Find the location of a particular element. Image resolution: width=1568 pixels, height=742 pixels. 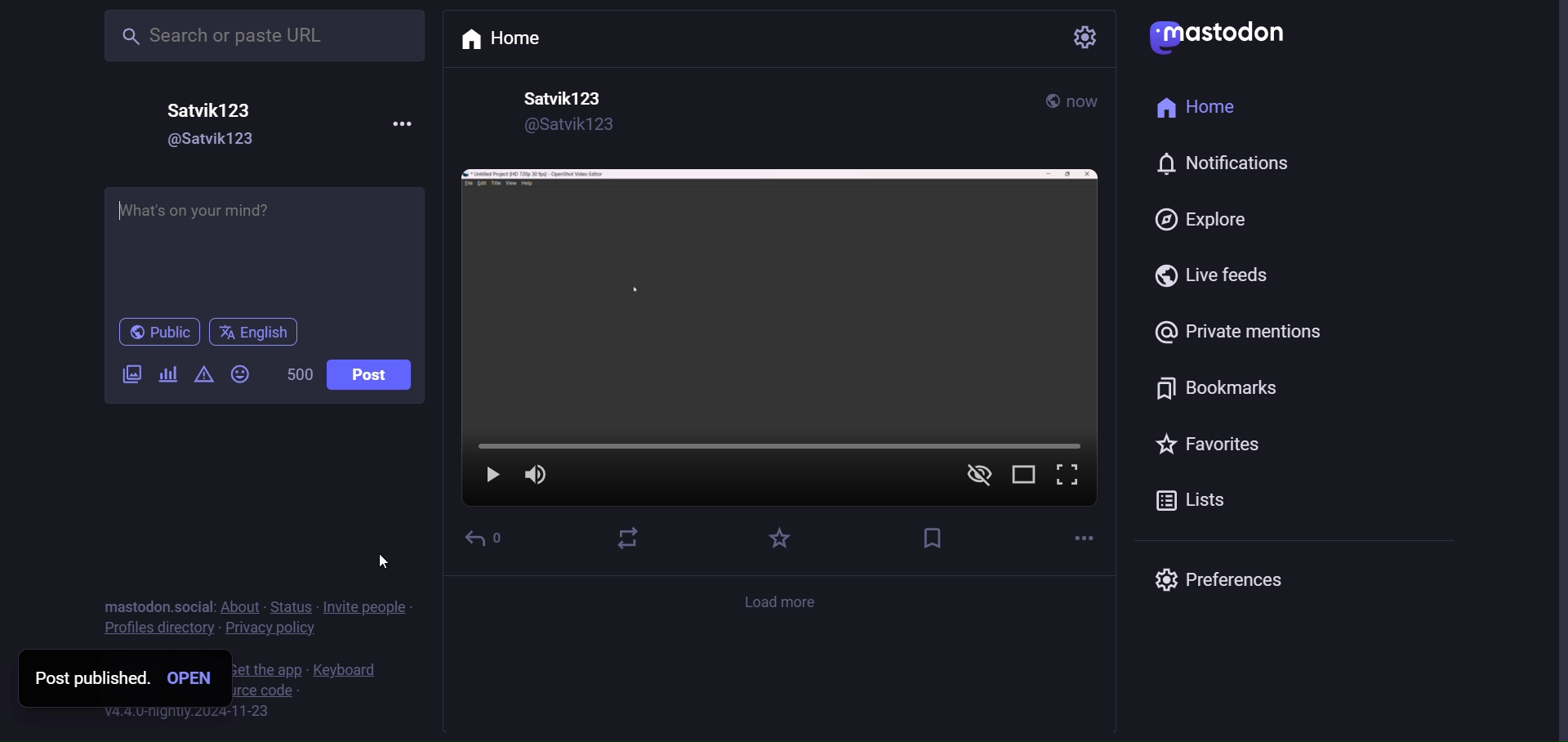

post is located at coordinates (376, 378).